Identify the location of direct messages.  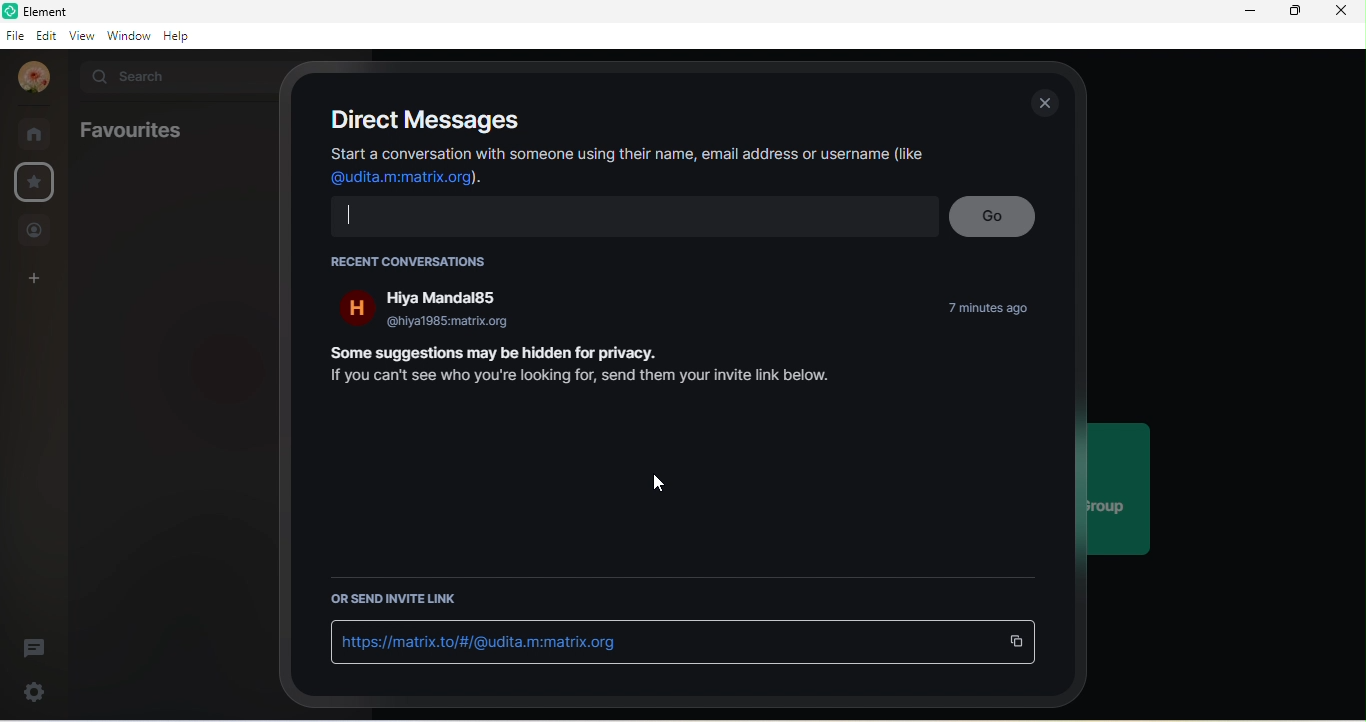
(421, 120).